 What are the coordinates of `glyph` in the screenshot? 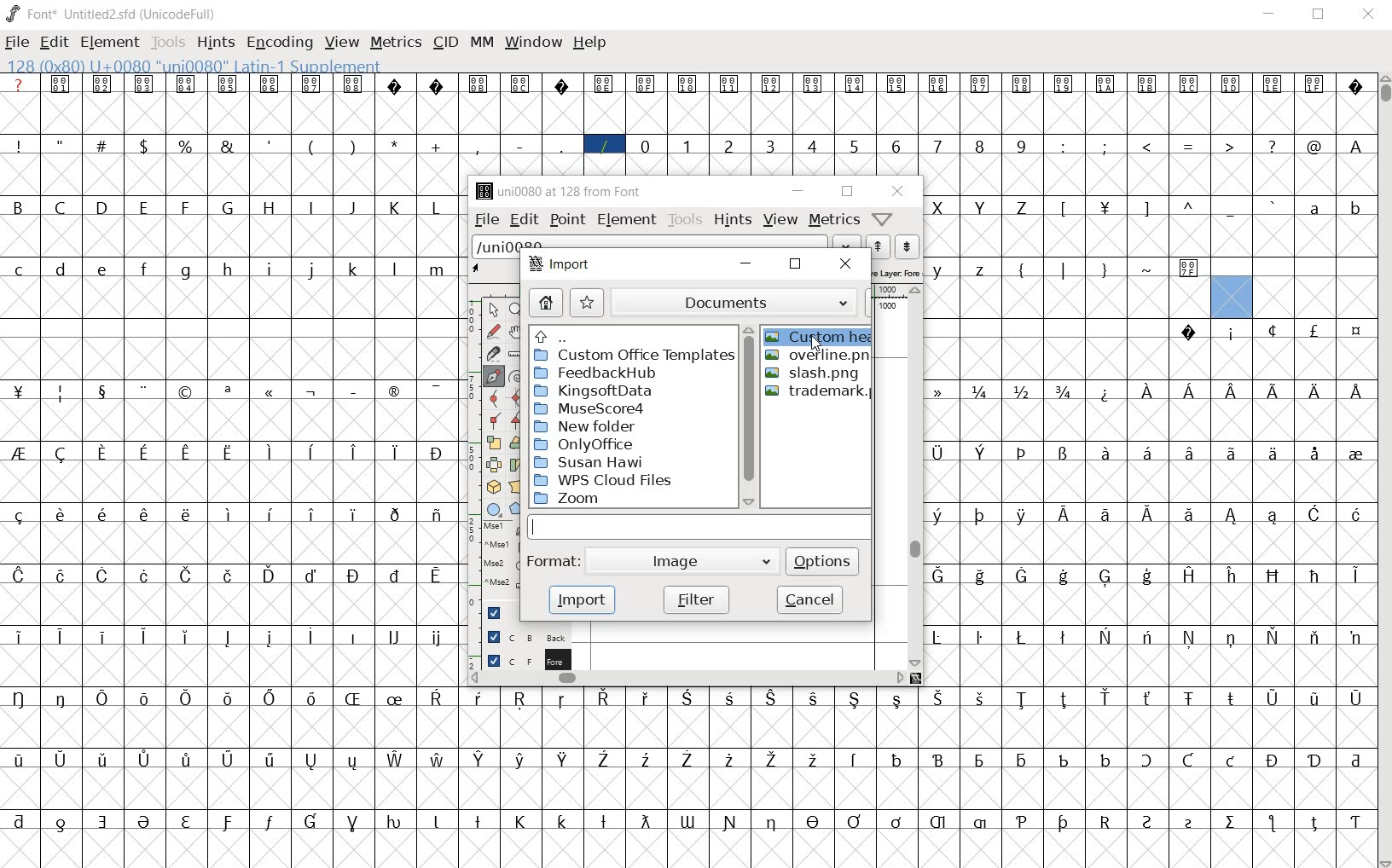 It's located at (853, 84).